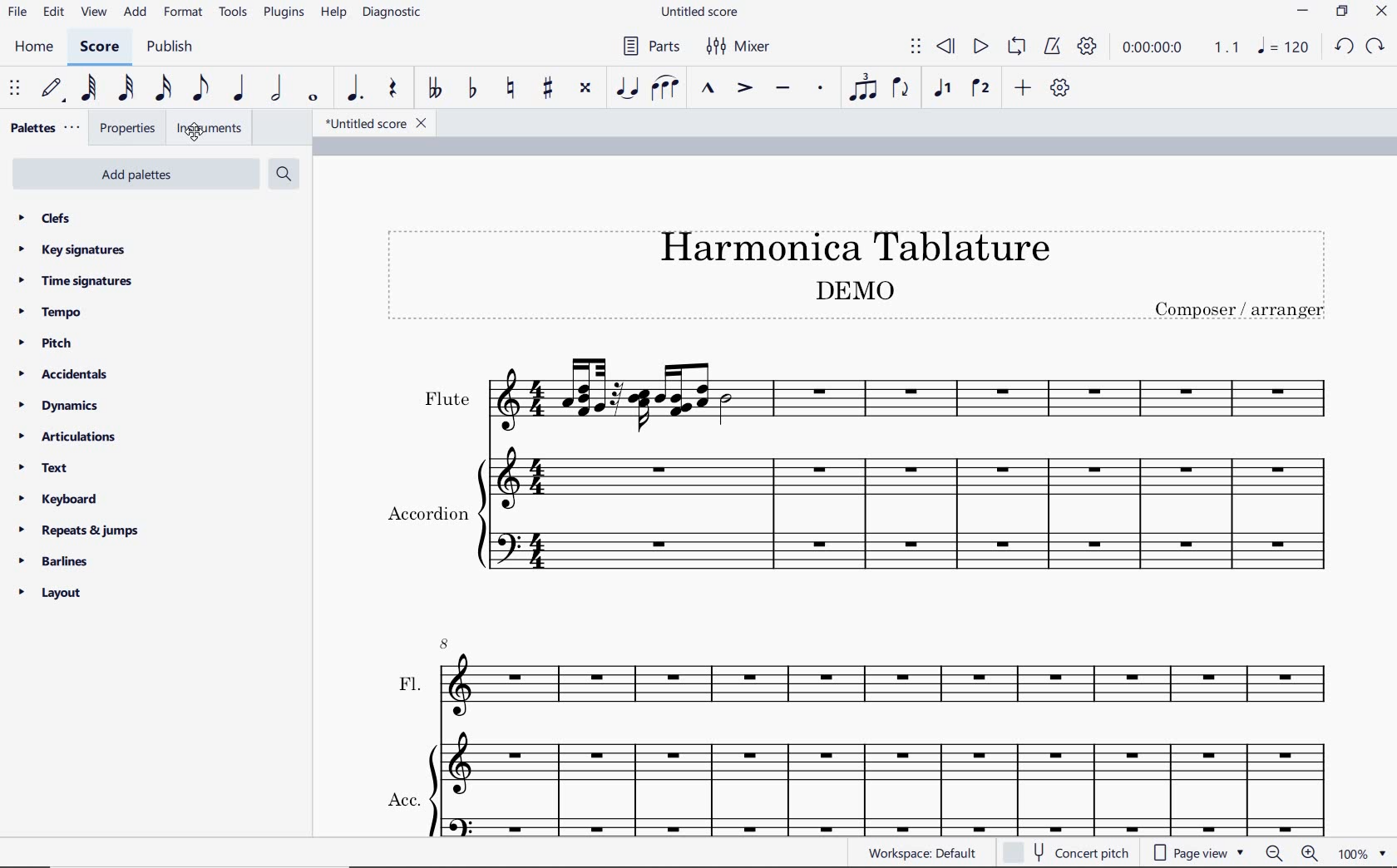 This screenshot has width=1397, height=868. What do you see at coordinates (820, 89) in the screenshot?
I see `staccato` at bounding box center [820, 89].